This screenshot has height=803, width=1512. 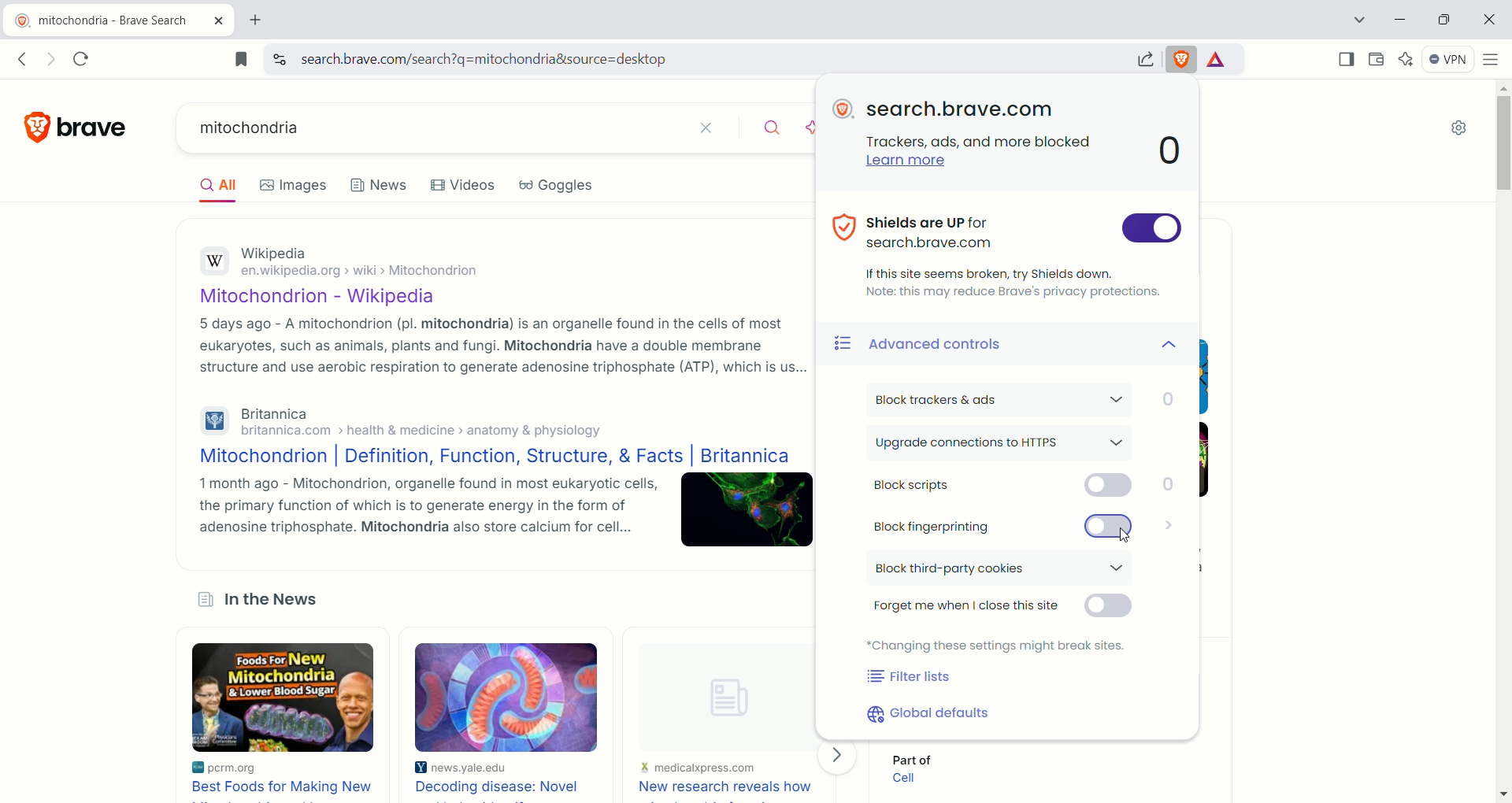 I want to click on wallet, so click(x=1378, y=58).